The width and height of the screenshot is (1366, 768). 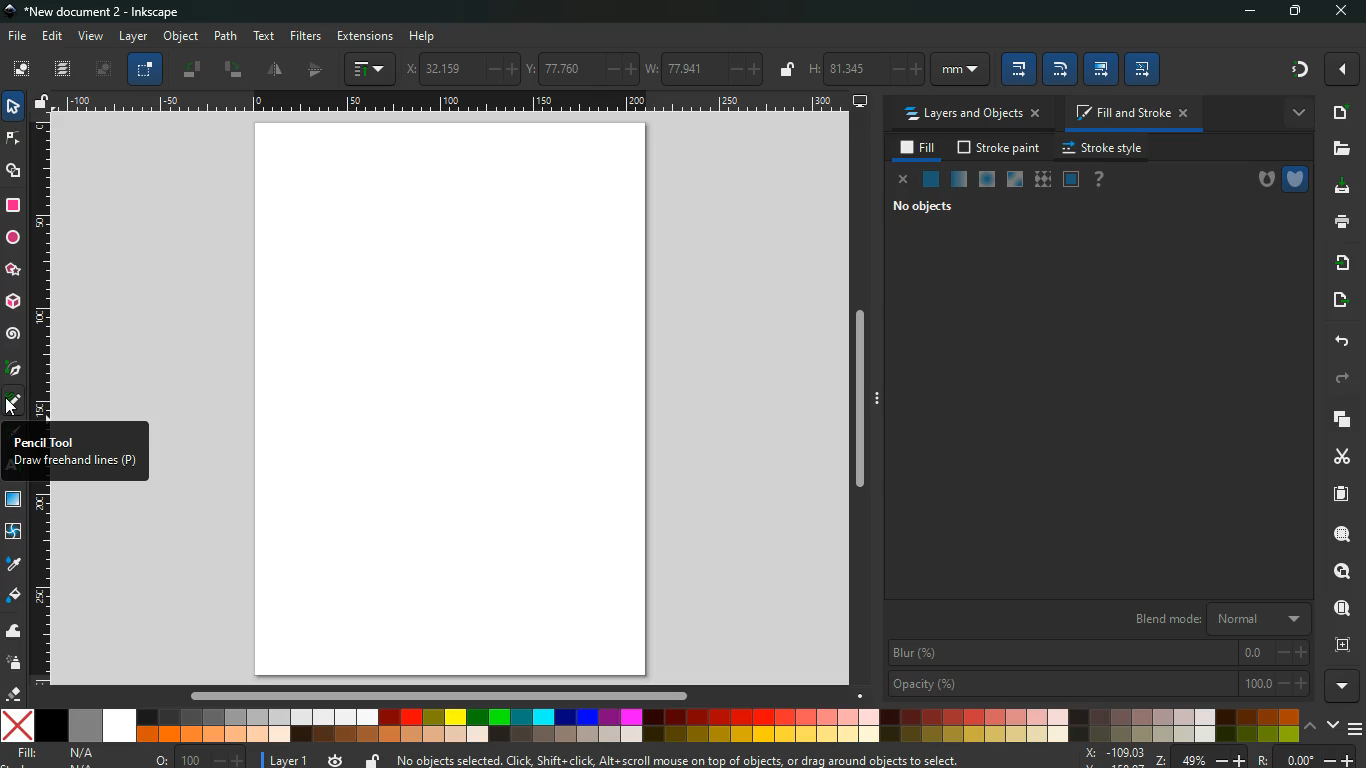 I want to click on ice, so click(x=987, y=178).